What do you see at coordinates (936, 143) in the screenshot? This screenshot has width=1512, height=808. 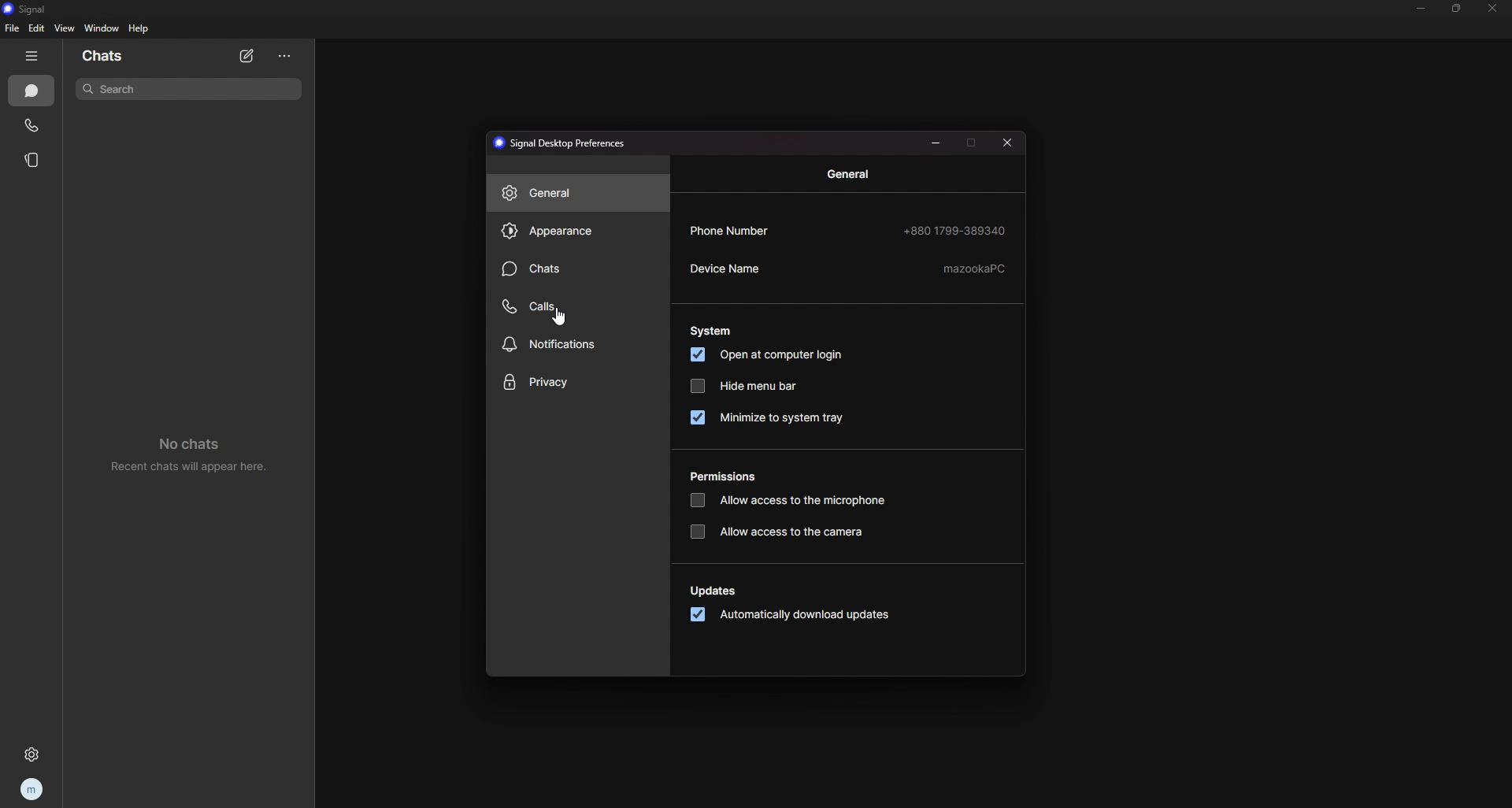 I see `minimize` at bounding box center [936, 143].